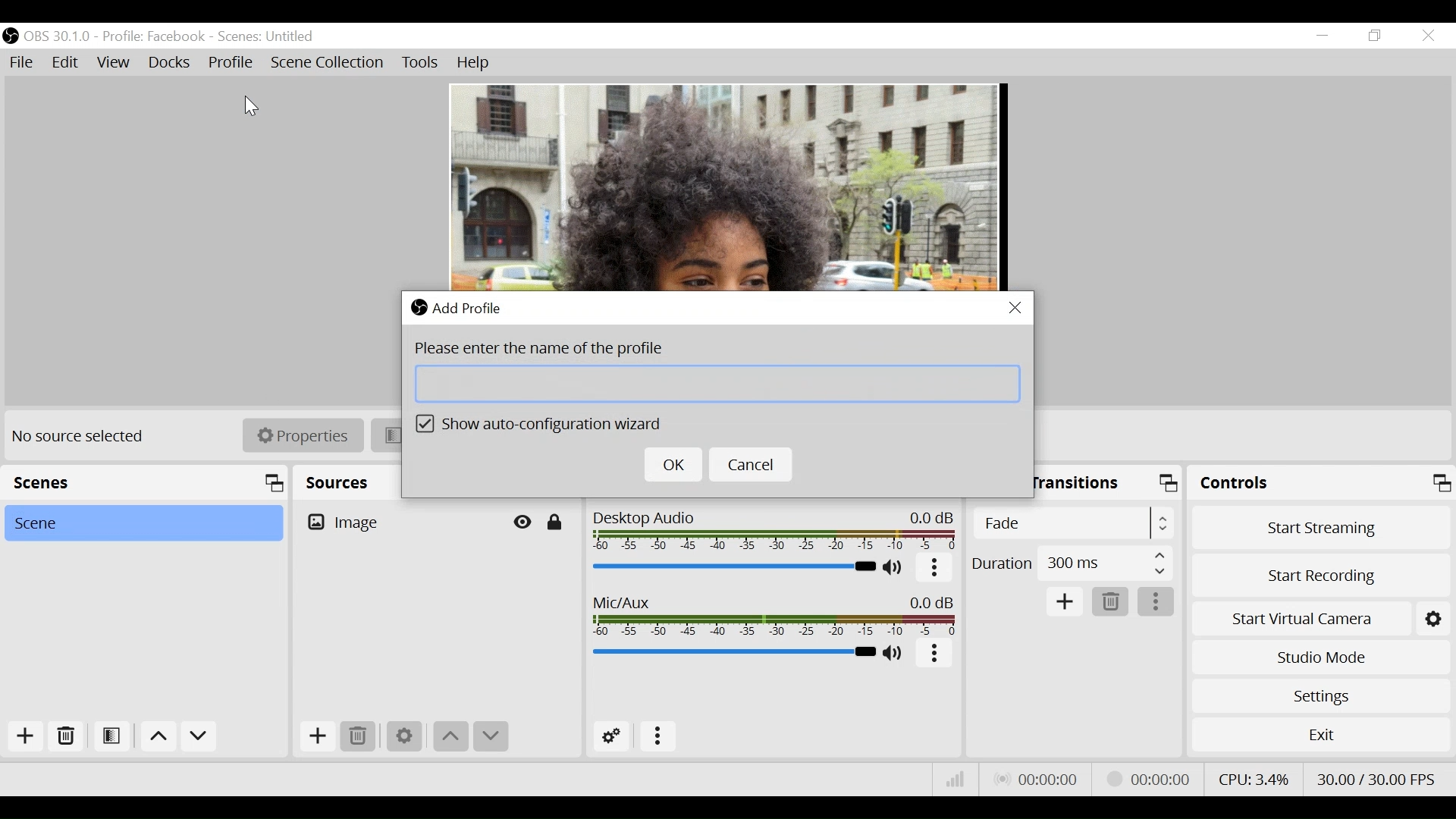 The image size is (1456, 819). Describe the element at coordinates (936, 572) in the screenshot. I see `More Options` at that location.